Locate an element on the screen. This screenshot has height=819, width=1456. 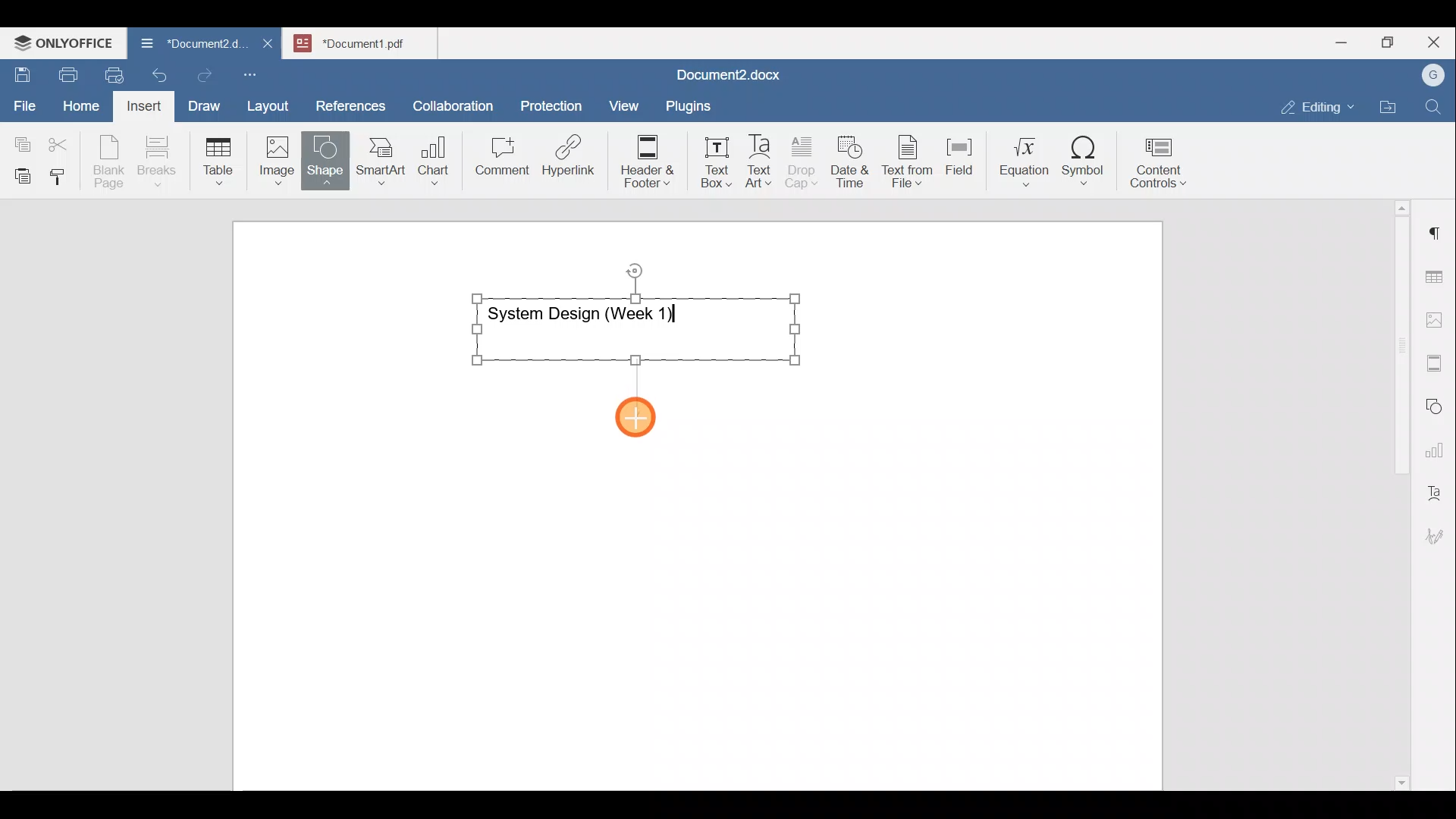
Editing mode is located at coordinates (1318, 104).